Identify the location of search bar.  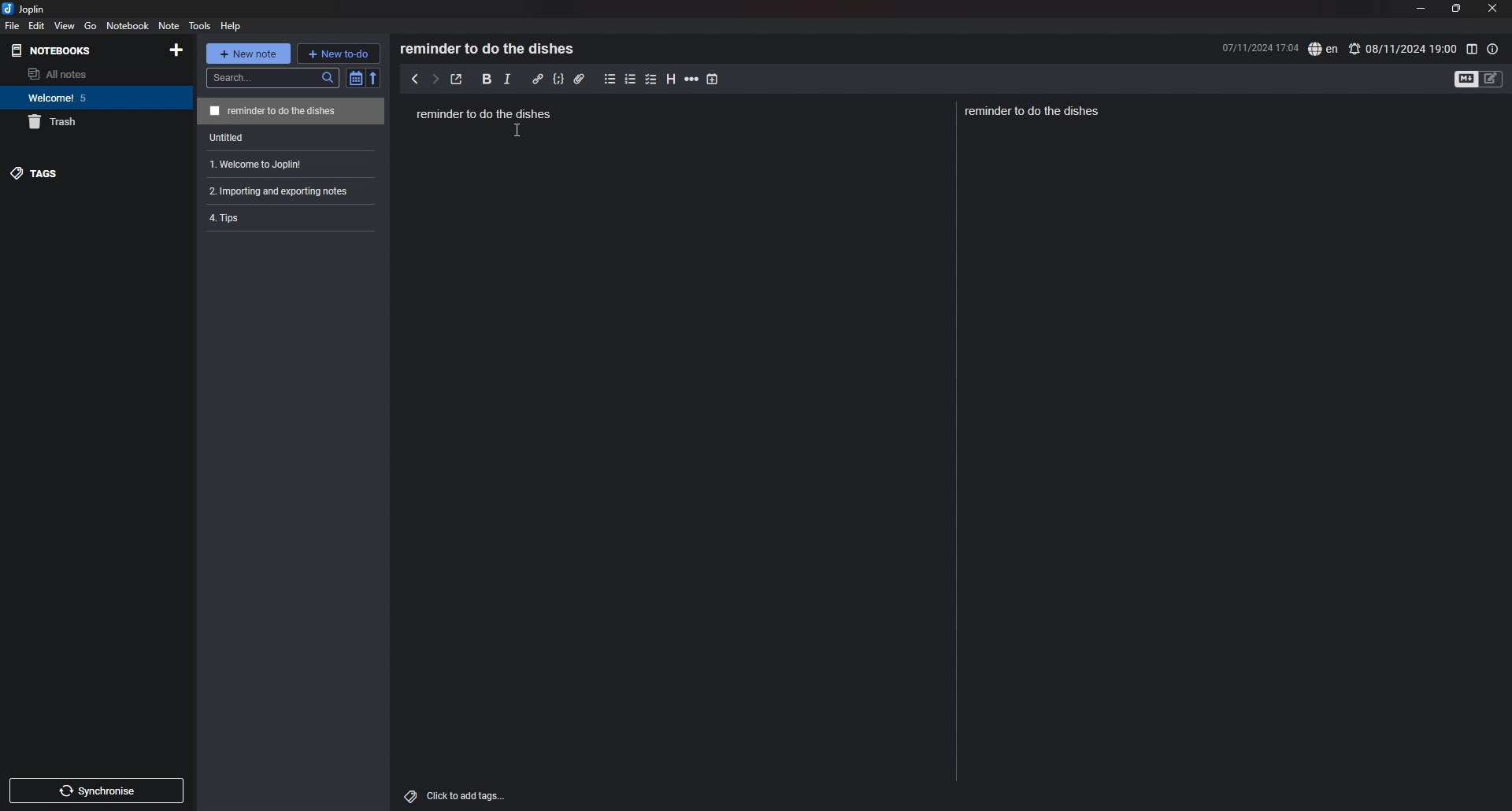
(272, 78).